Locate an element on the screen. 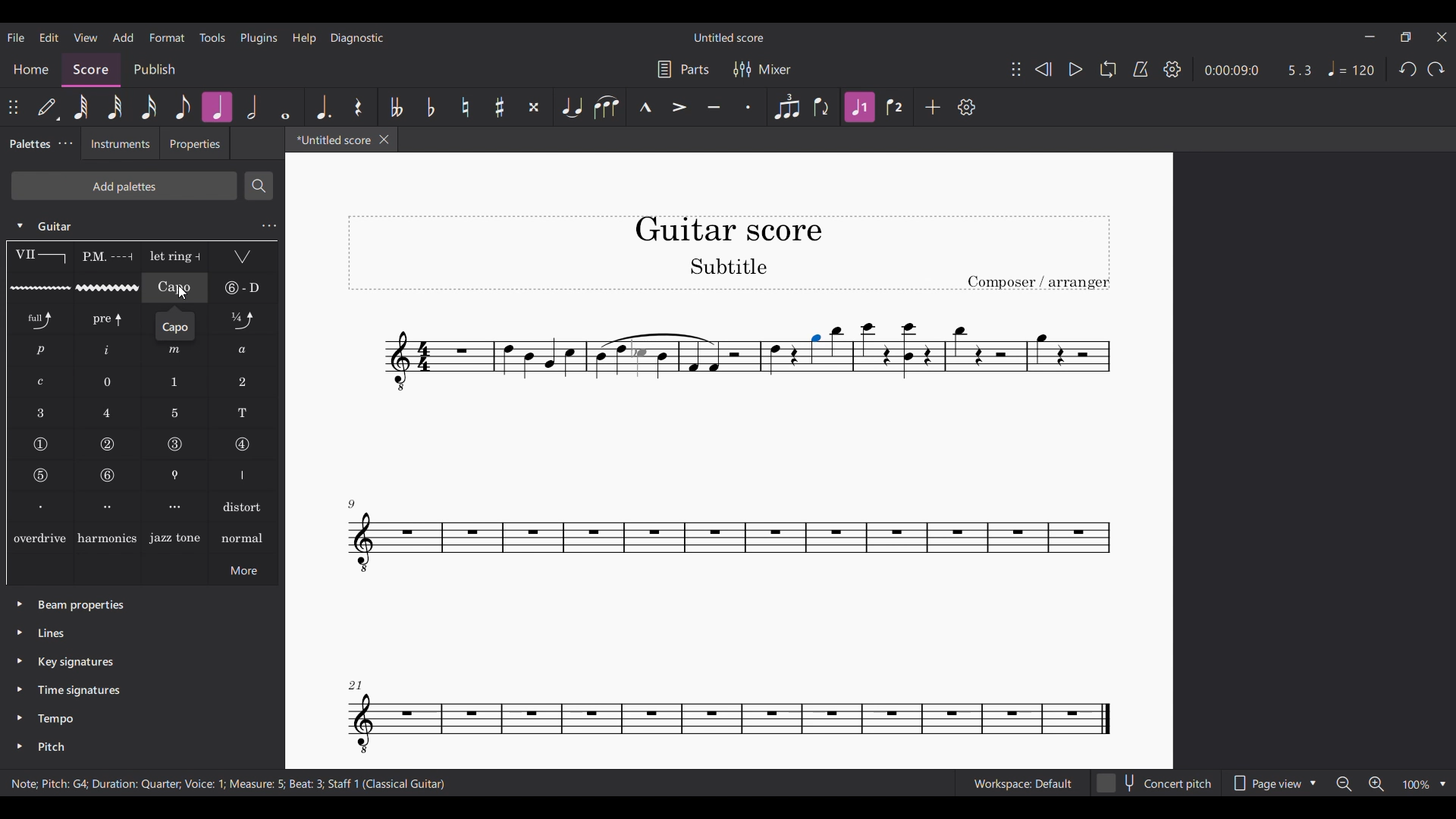 This screenshot has height=819, width=1456. Score is located at coordinates (92, 70).